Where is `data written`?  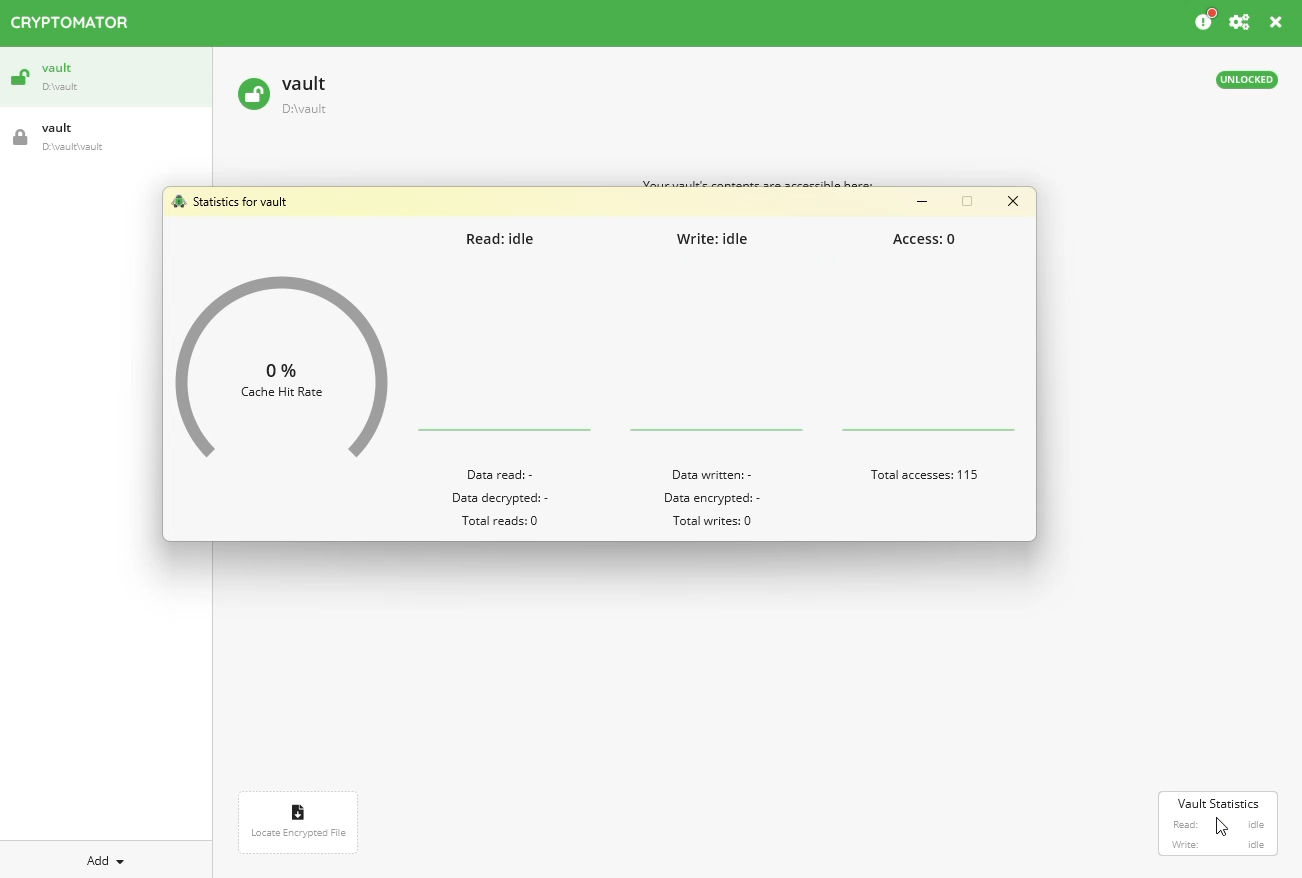 data written is located at coordinates (716, 474).